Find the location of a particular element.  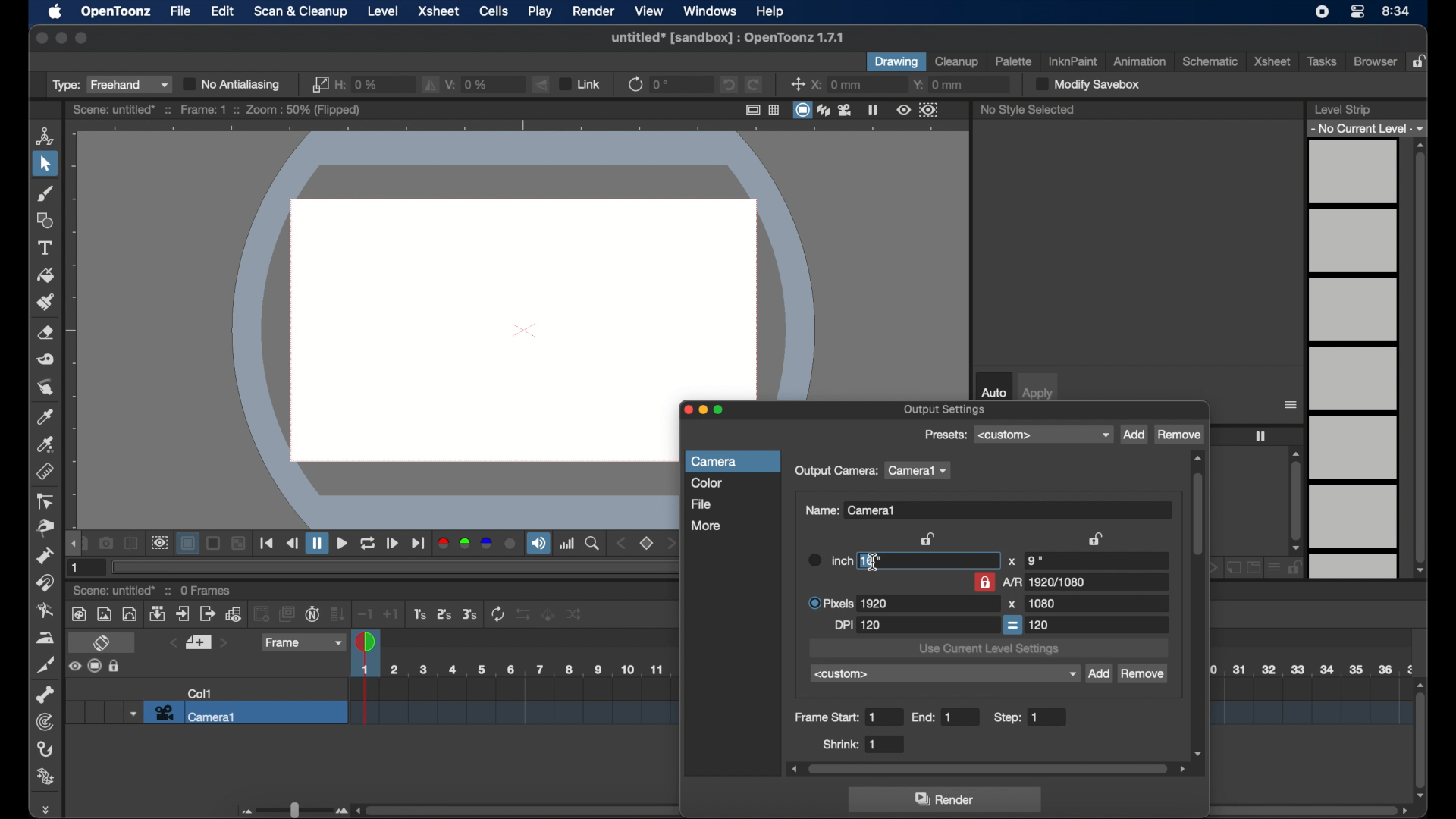

draghandle is located at coordinates (74, 544).